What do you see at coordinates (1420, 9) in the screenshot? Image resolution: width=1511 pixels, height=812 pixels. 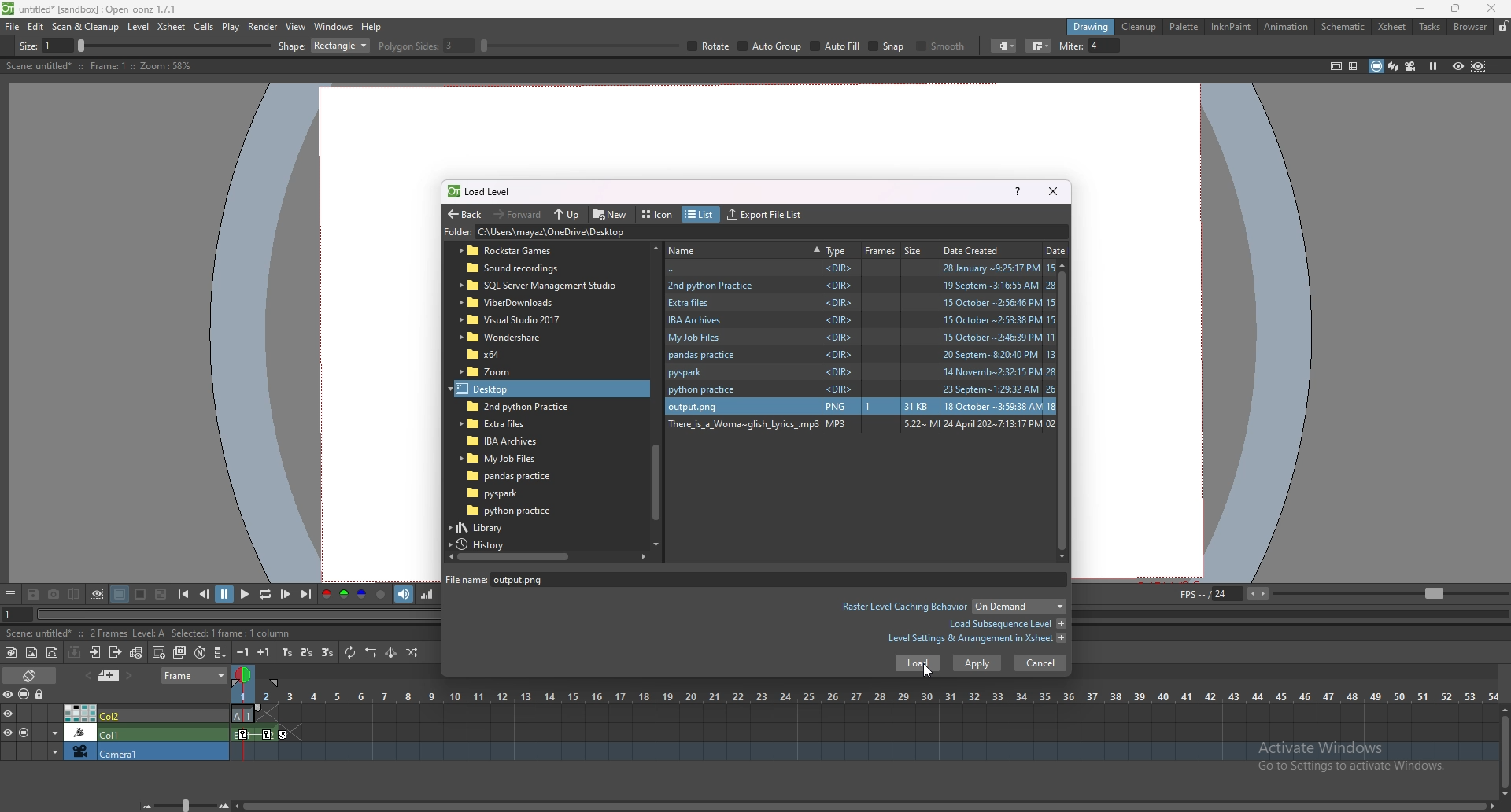 I see `minimize` at bounding box center [1420, 9].